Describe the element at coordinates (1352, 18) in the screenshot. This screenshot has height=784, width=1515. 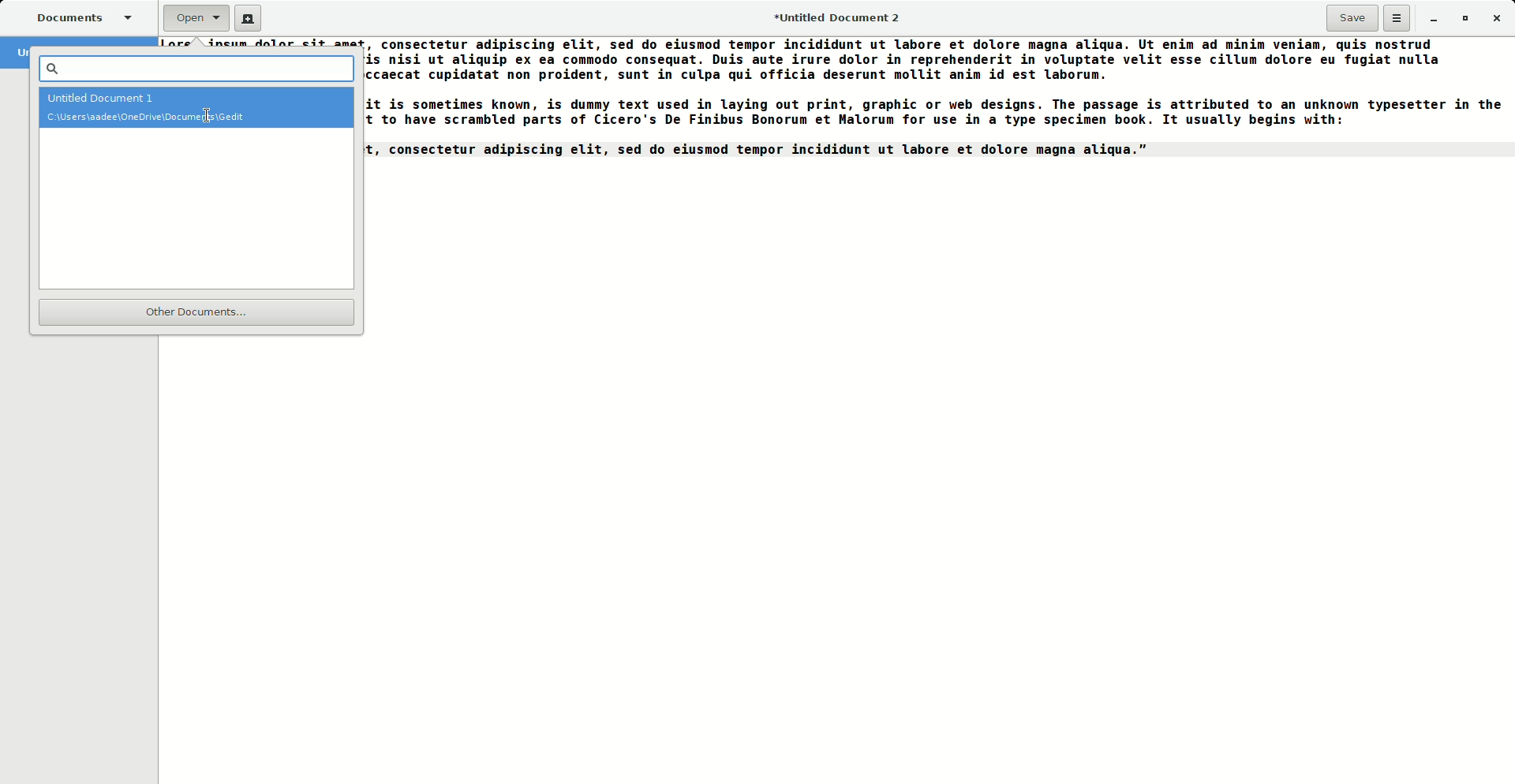
I see `Save` at that location.